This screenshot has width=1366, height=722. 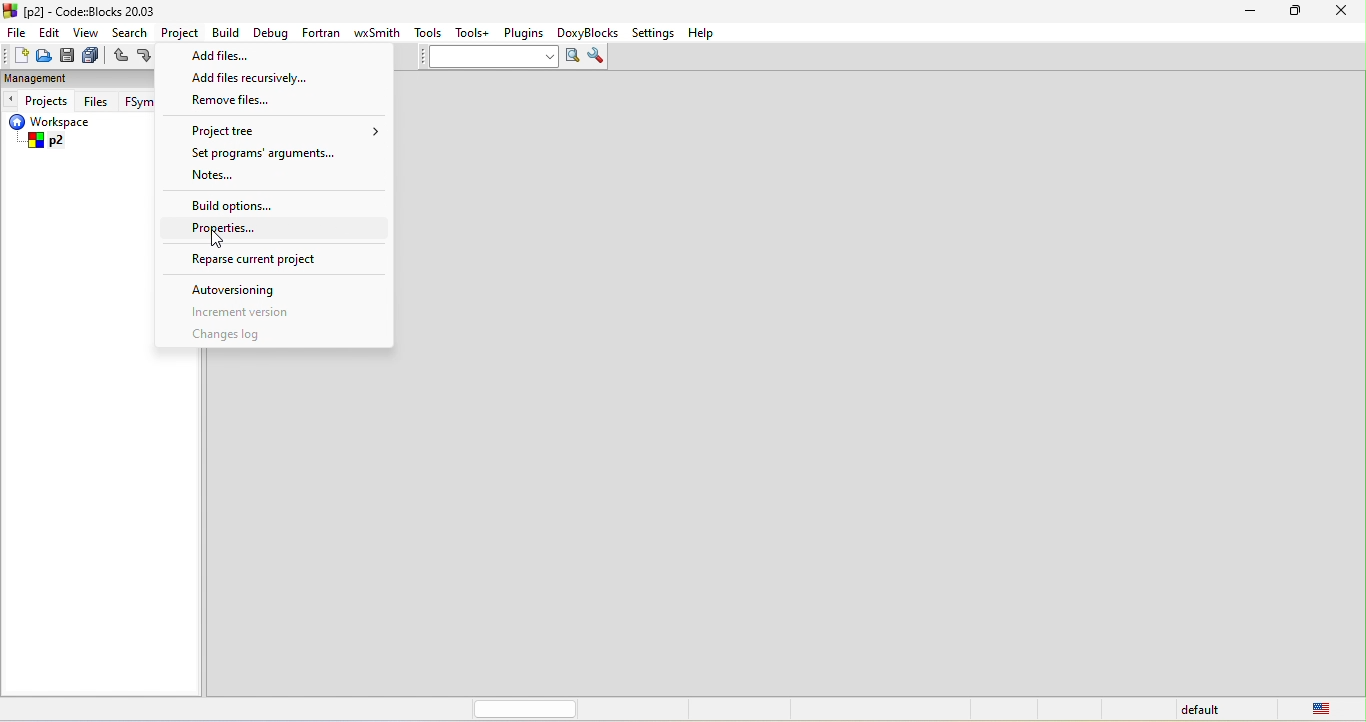 I want to click on minimize, so click(x=1255, y=15).